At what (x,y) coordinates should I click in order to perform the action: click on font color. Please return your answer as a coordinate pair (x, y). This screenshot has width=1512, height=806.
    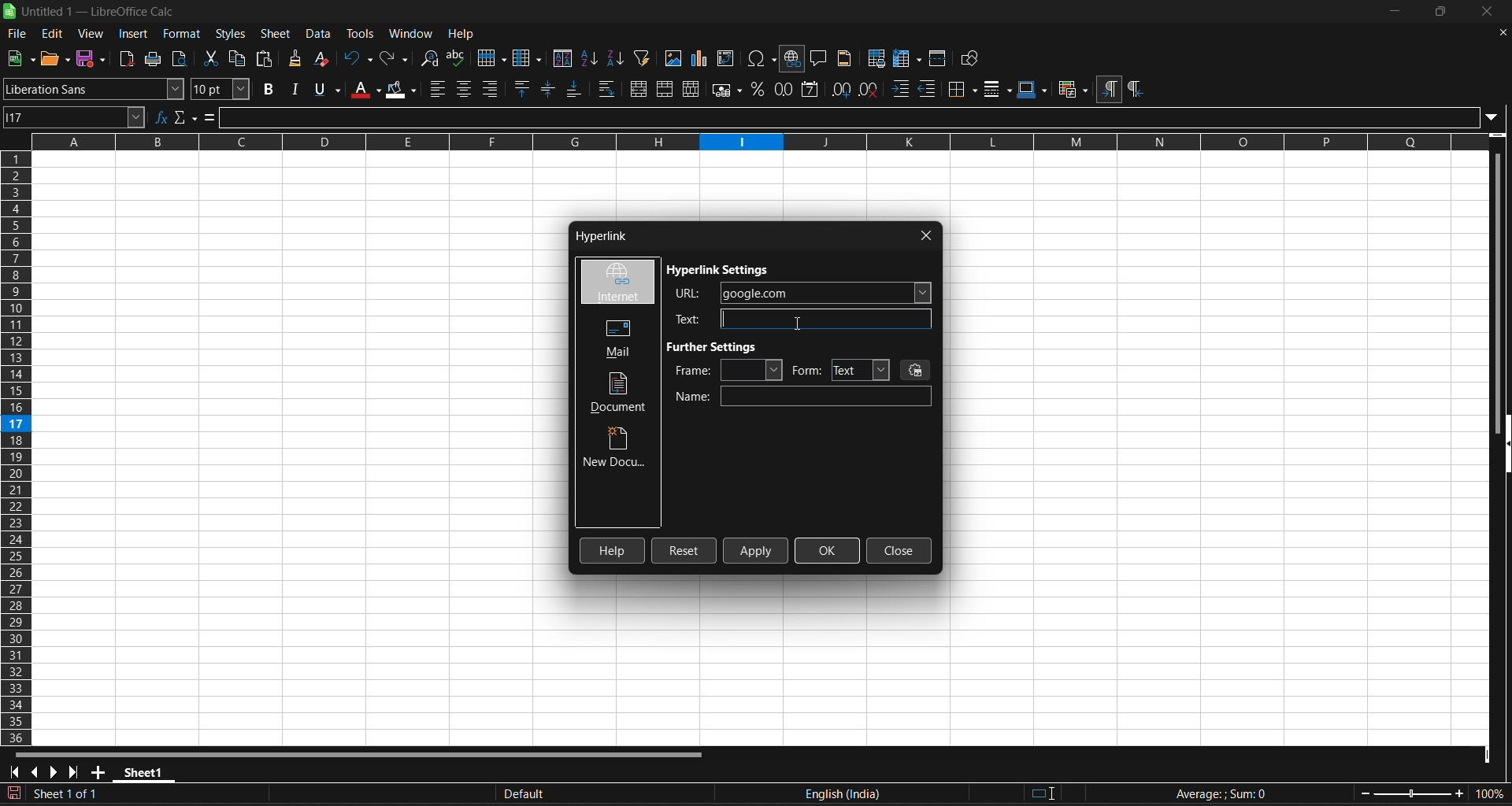
    Looking at the image, I should click on (365, 89).